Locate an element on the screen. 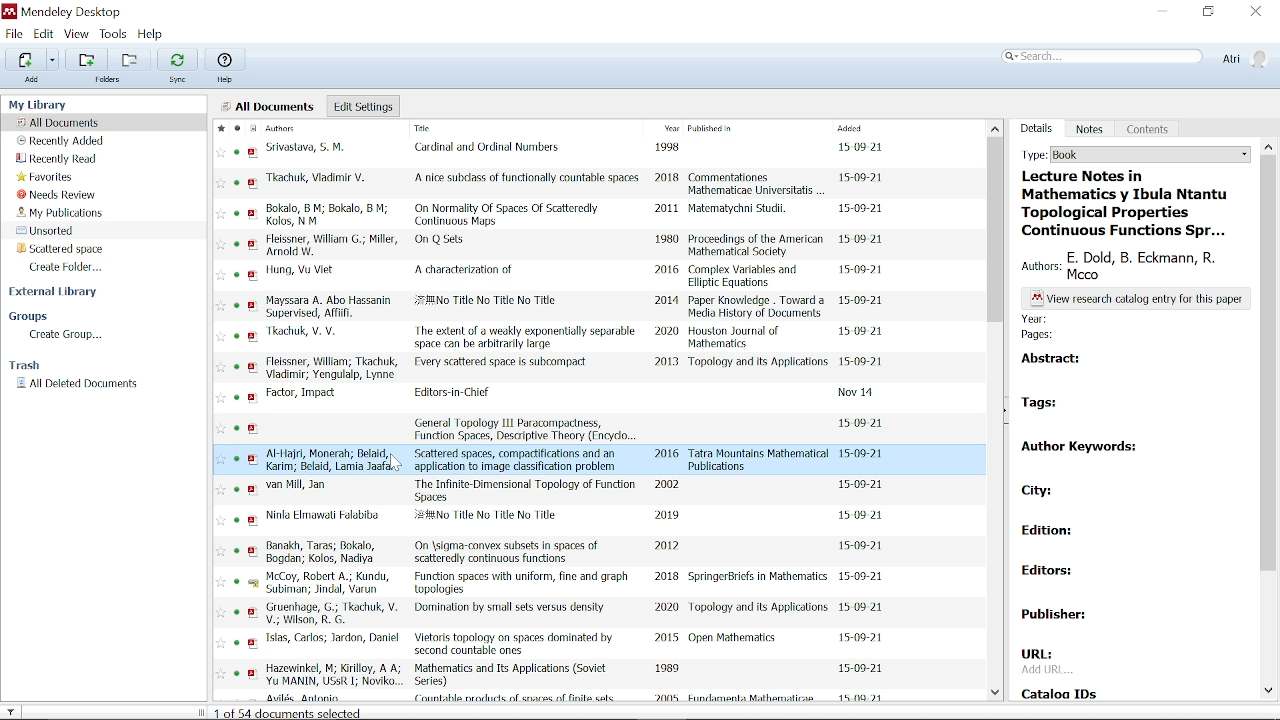  title is located at coordinates (508, 552).